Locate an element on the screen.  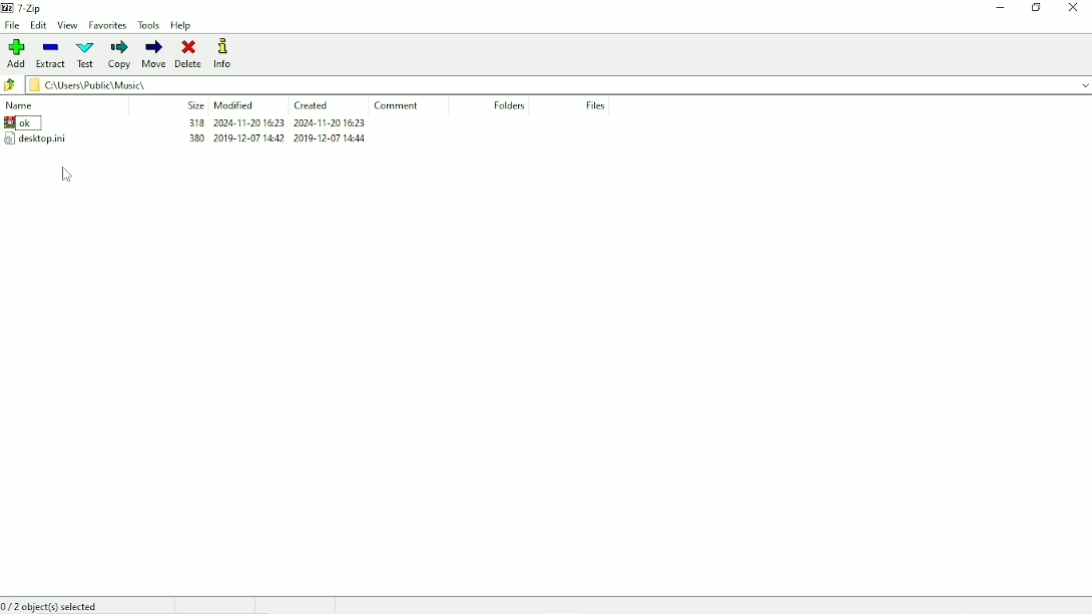
0/2 object(s) selected is located at coordinates (56, 606).